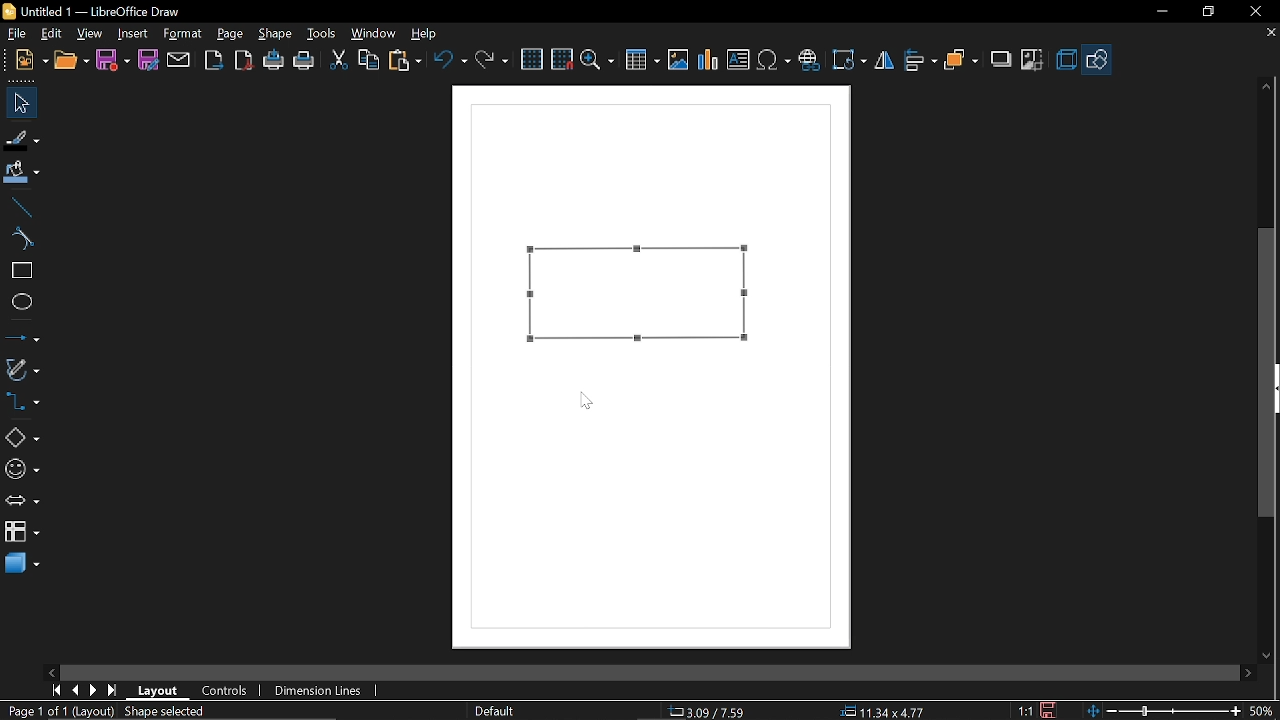 This screenshot has height=720, width=1280. What do you see at coordinates (97, 11) in the screenshot?
I see `Untitled 1 - LibreOffice Draw` at bounding box center [97, 11].